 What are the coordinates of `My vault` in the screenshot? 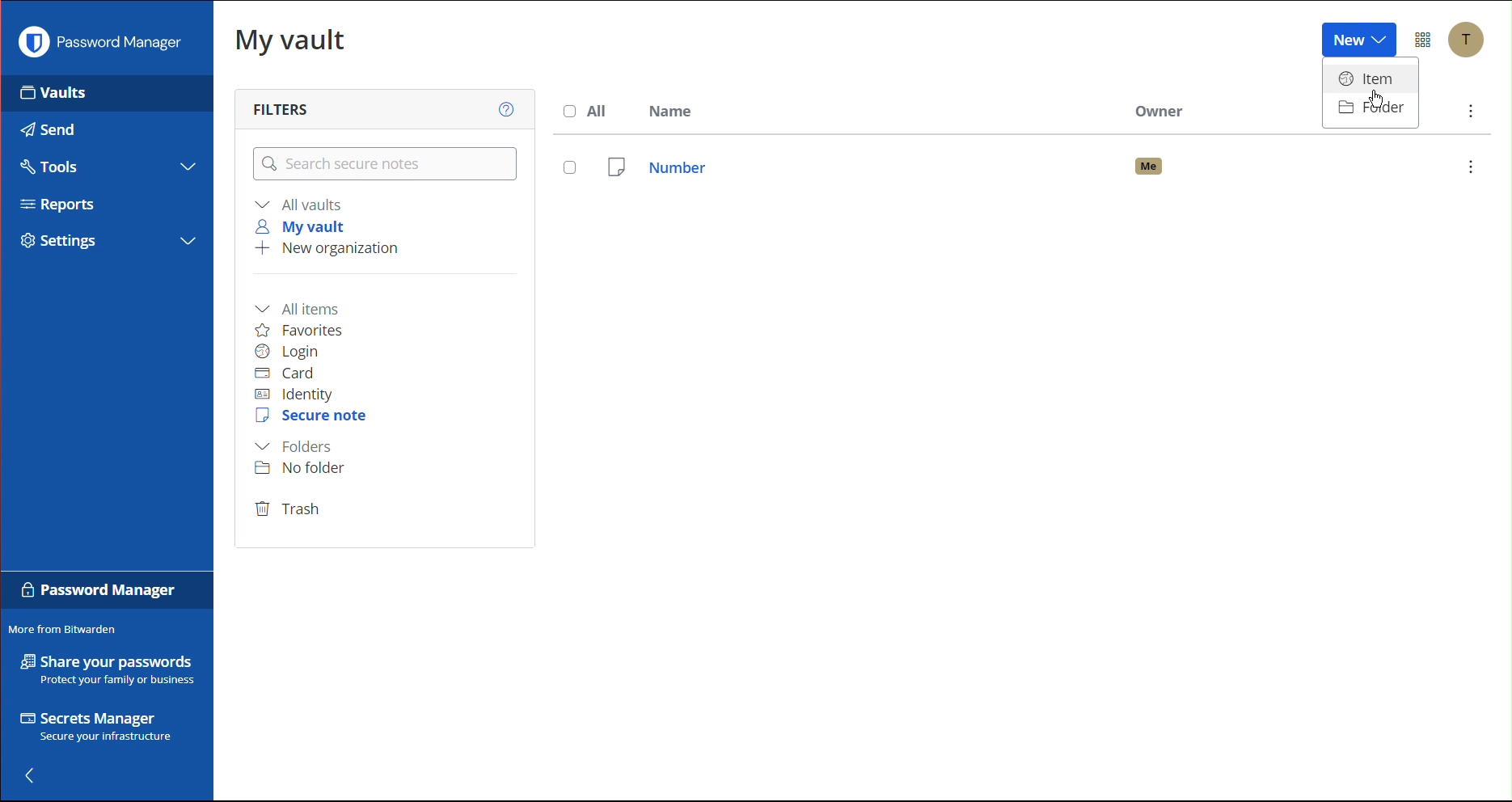 It's located at (305, 226).